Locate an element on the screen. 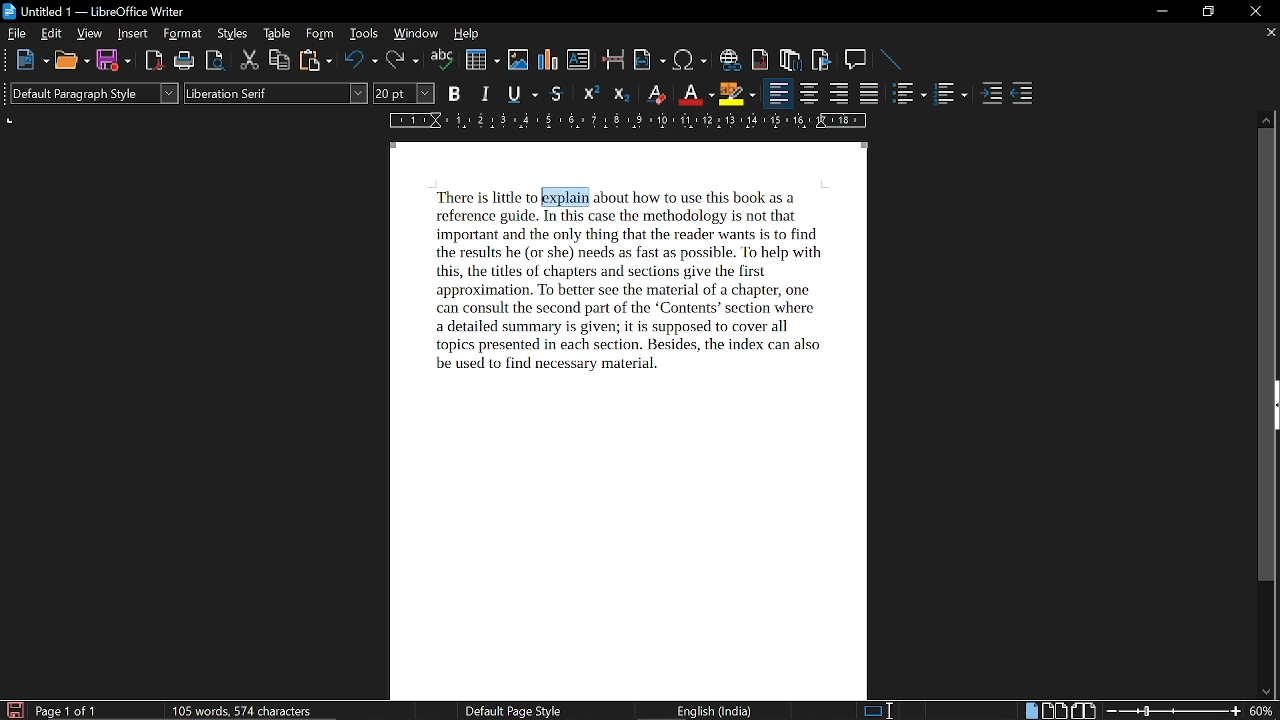 The width and height of the screenshot is (1280, 720). save is located at coordinates (14, 710).